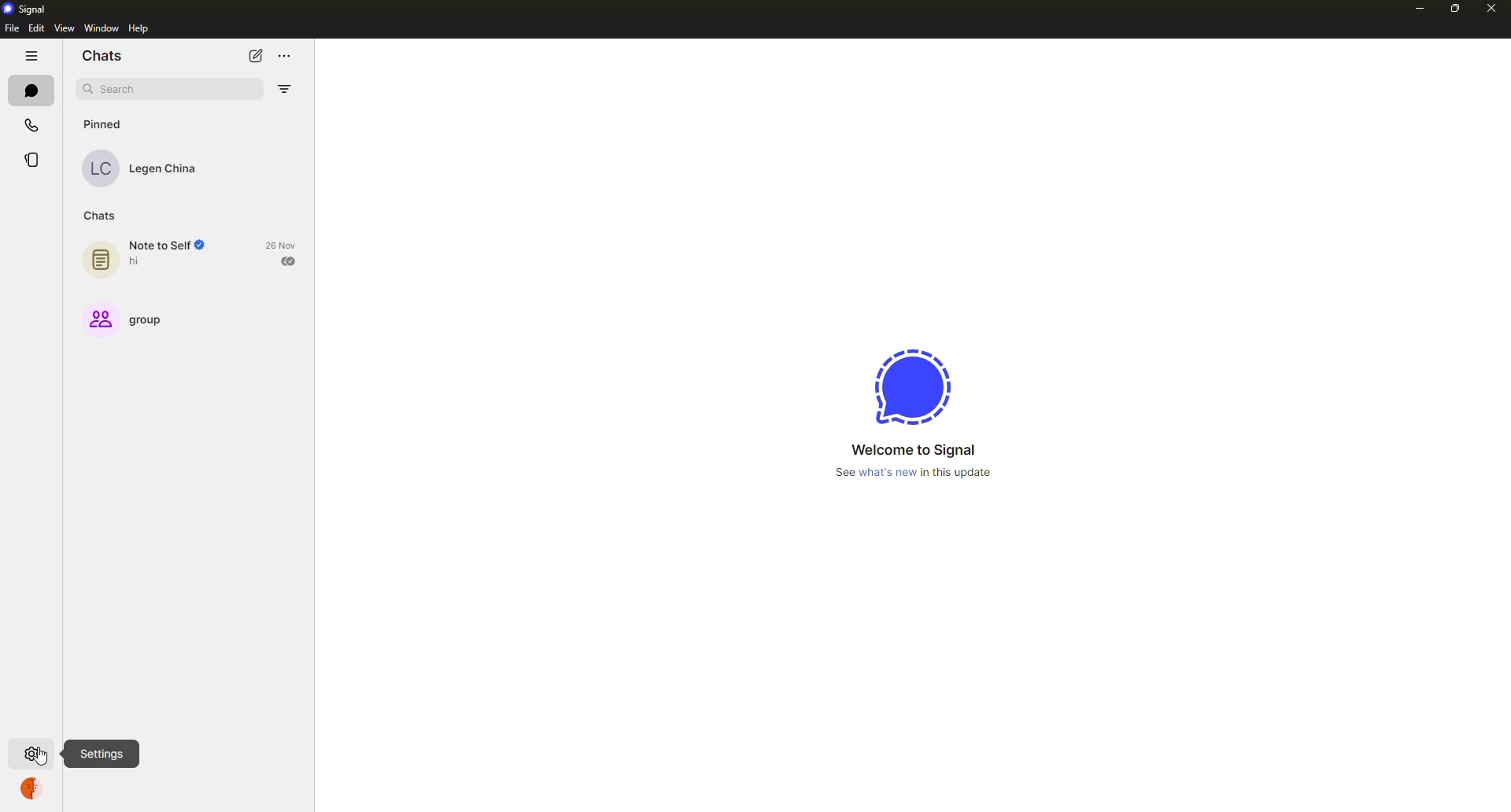 Image resolution: width=1511 pixels, height=812 pixels. Describe the element at coordinates (1492, 6) in the screenshot. I see `close` at that location.